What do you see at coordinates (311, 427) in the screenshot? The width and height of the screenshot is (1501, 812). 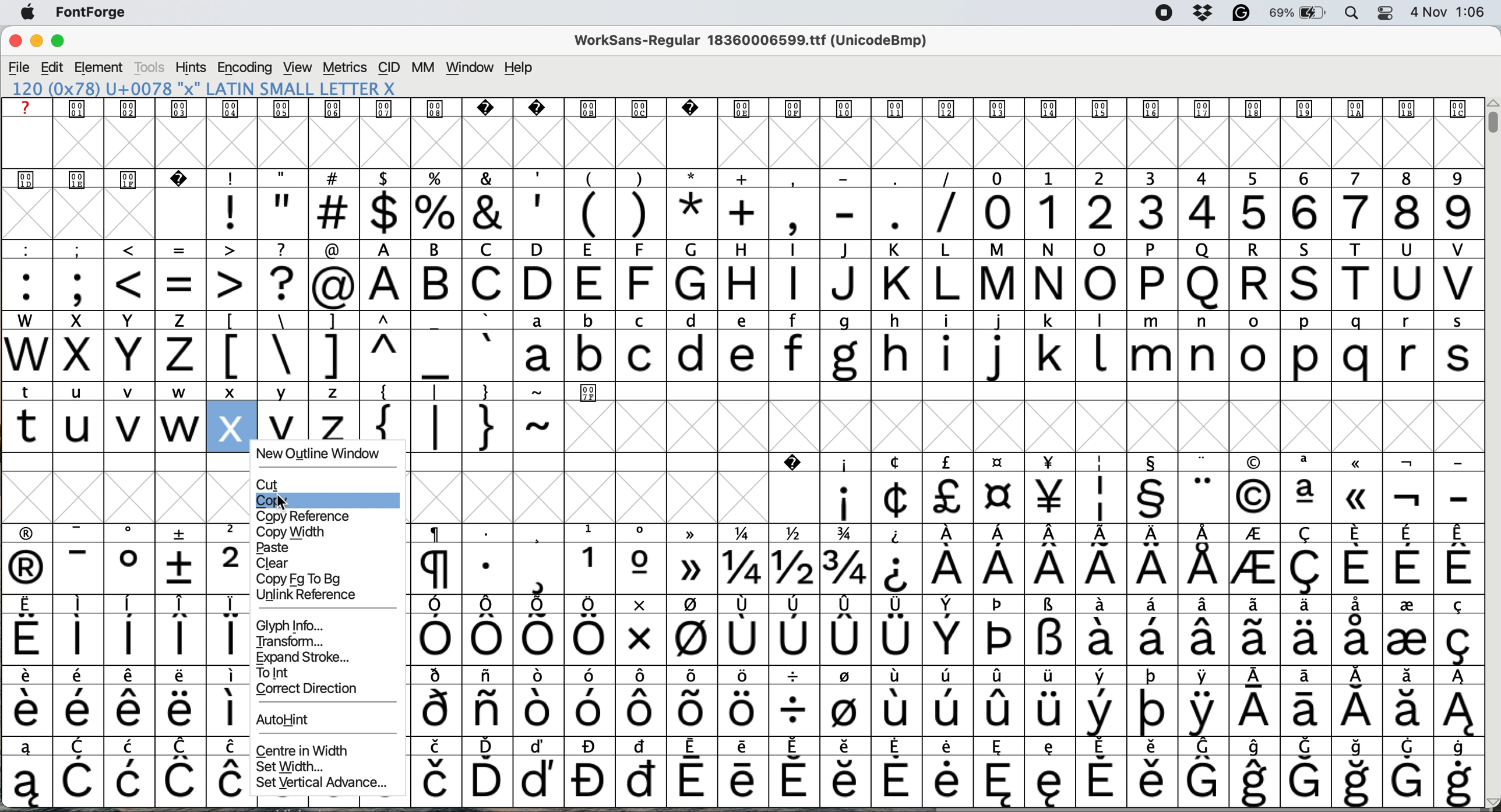 I see `v z: lower case letters` at bounding box center [311, 427].